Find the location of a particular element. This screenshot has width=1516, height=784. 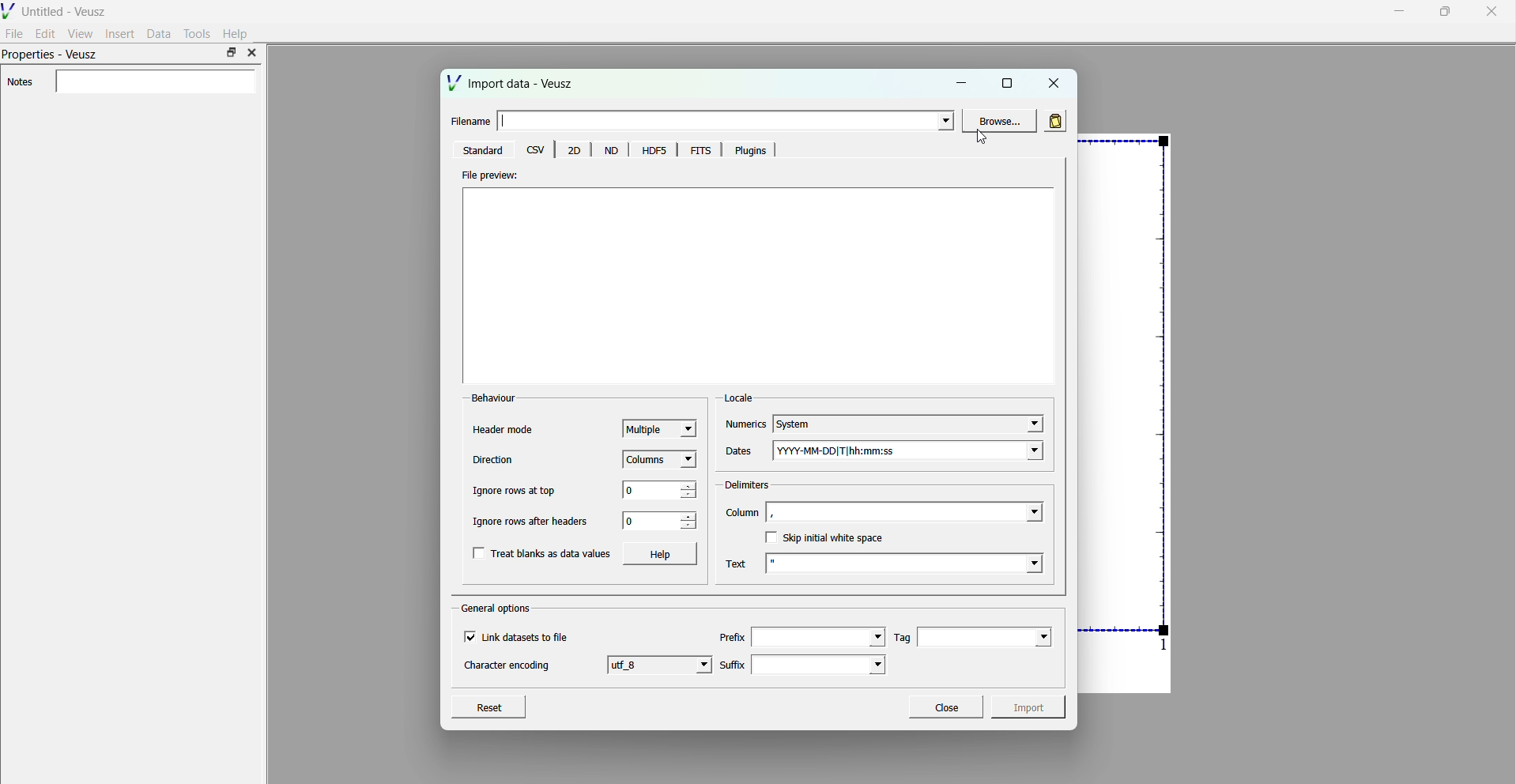

Prefix is located at coordinates (731, 637).